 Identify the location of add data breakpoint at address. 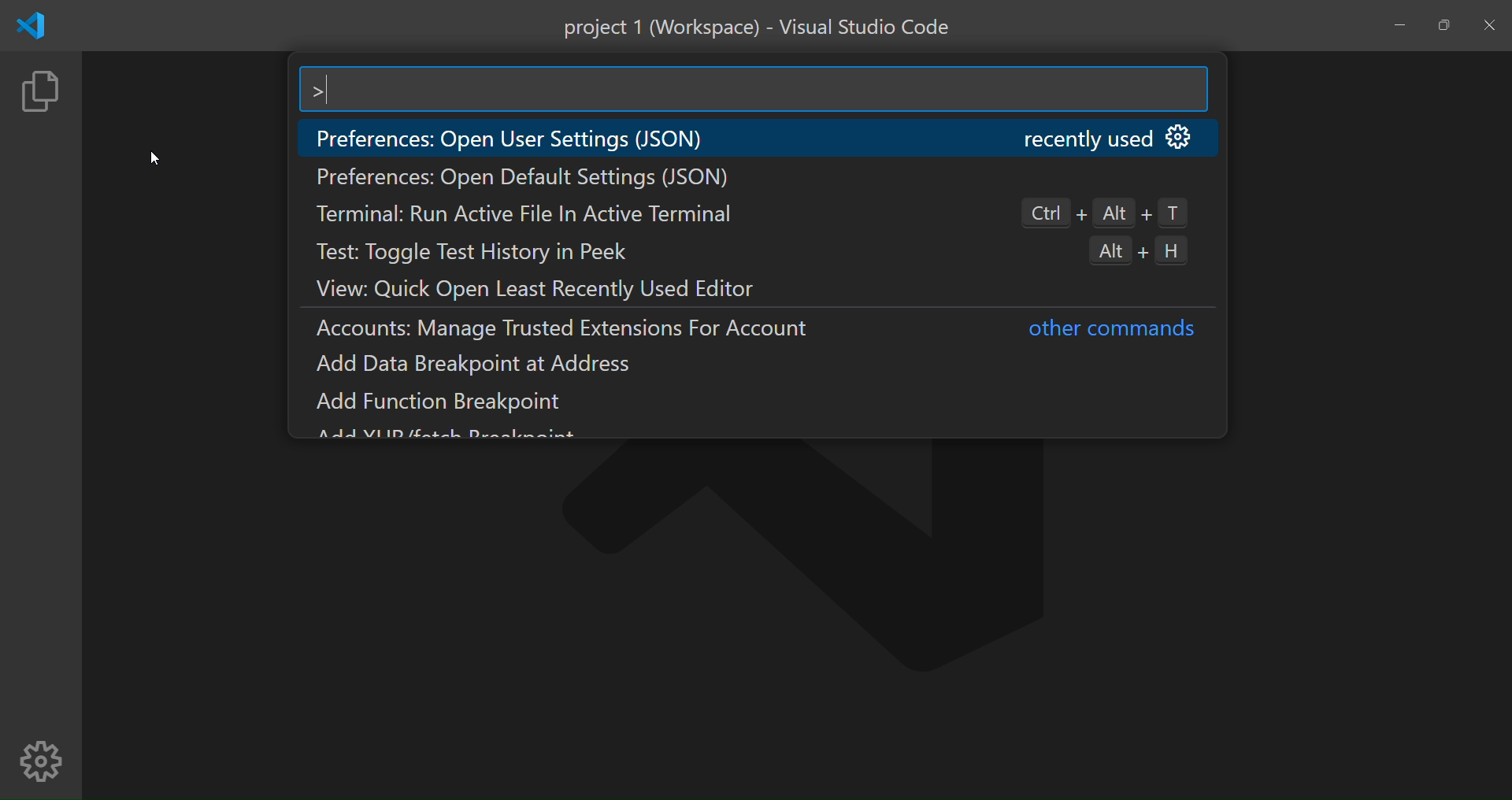
(483, 365).